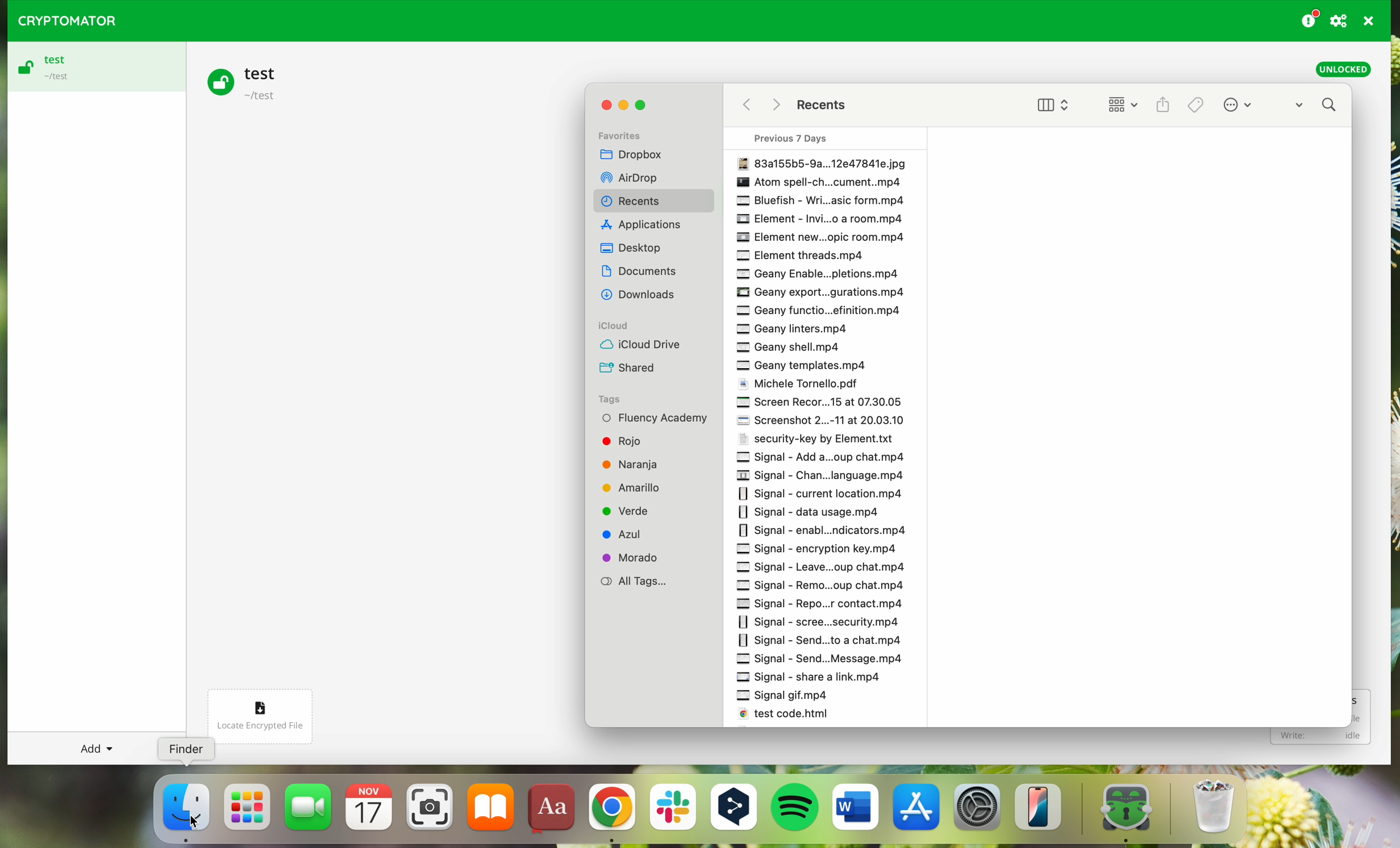 The height and width of the screenshot is (848, 1400). What do you see at coordinates (820, 620) in the screenshot?
I see `Signal Scene` at bounding box center [820, 620].